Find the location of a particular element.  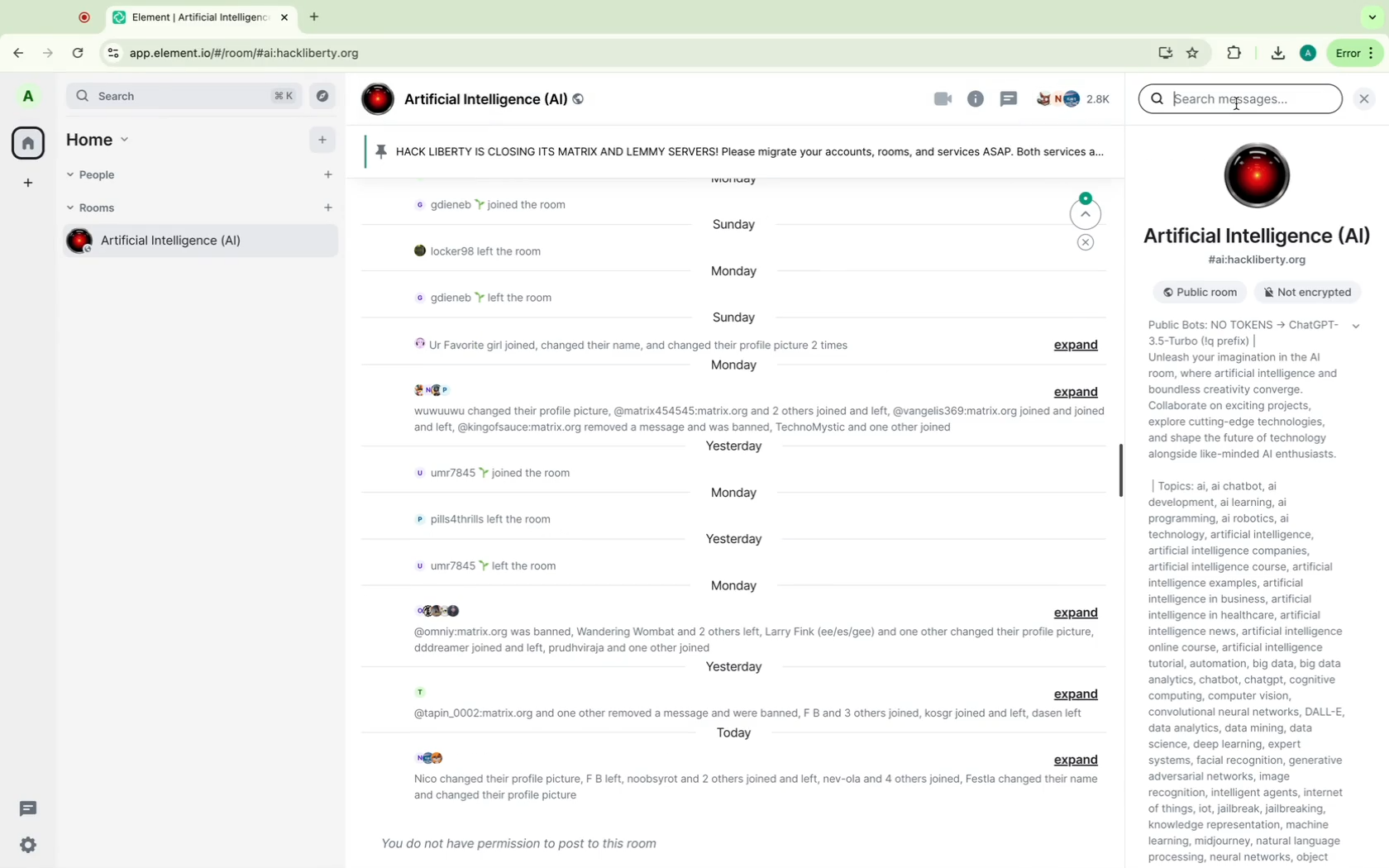

name is located at coordinates (1260, 237).